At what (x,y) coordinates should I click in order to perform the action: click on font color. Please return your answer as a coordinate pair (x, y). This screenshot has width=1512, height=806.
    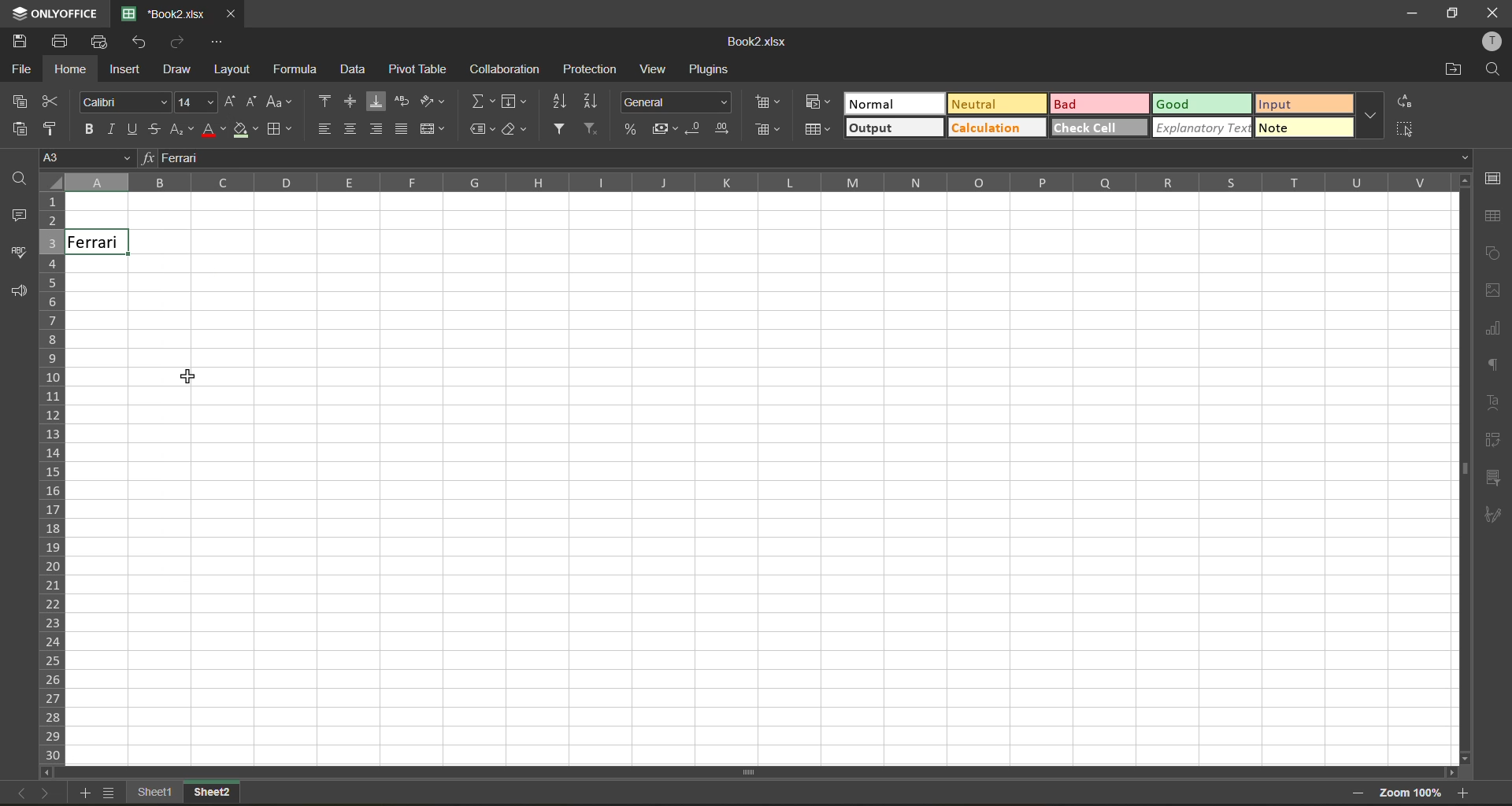
    Looking at the image, I should click on (210, 131).